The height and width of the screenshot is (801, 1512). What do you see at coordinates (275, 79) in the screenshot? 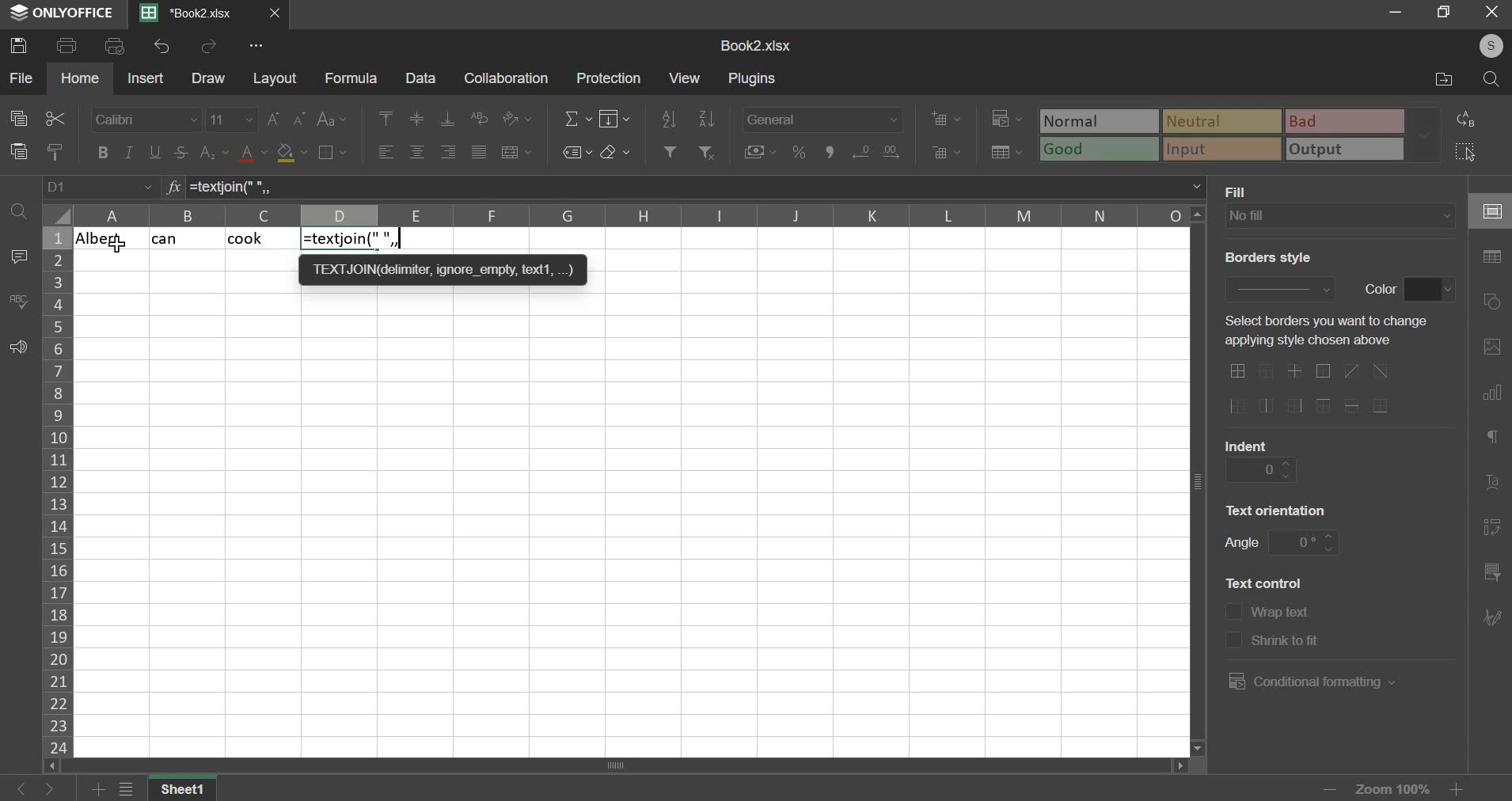
I see `layout` at bounding box center [275, 79].